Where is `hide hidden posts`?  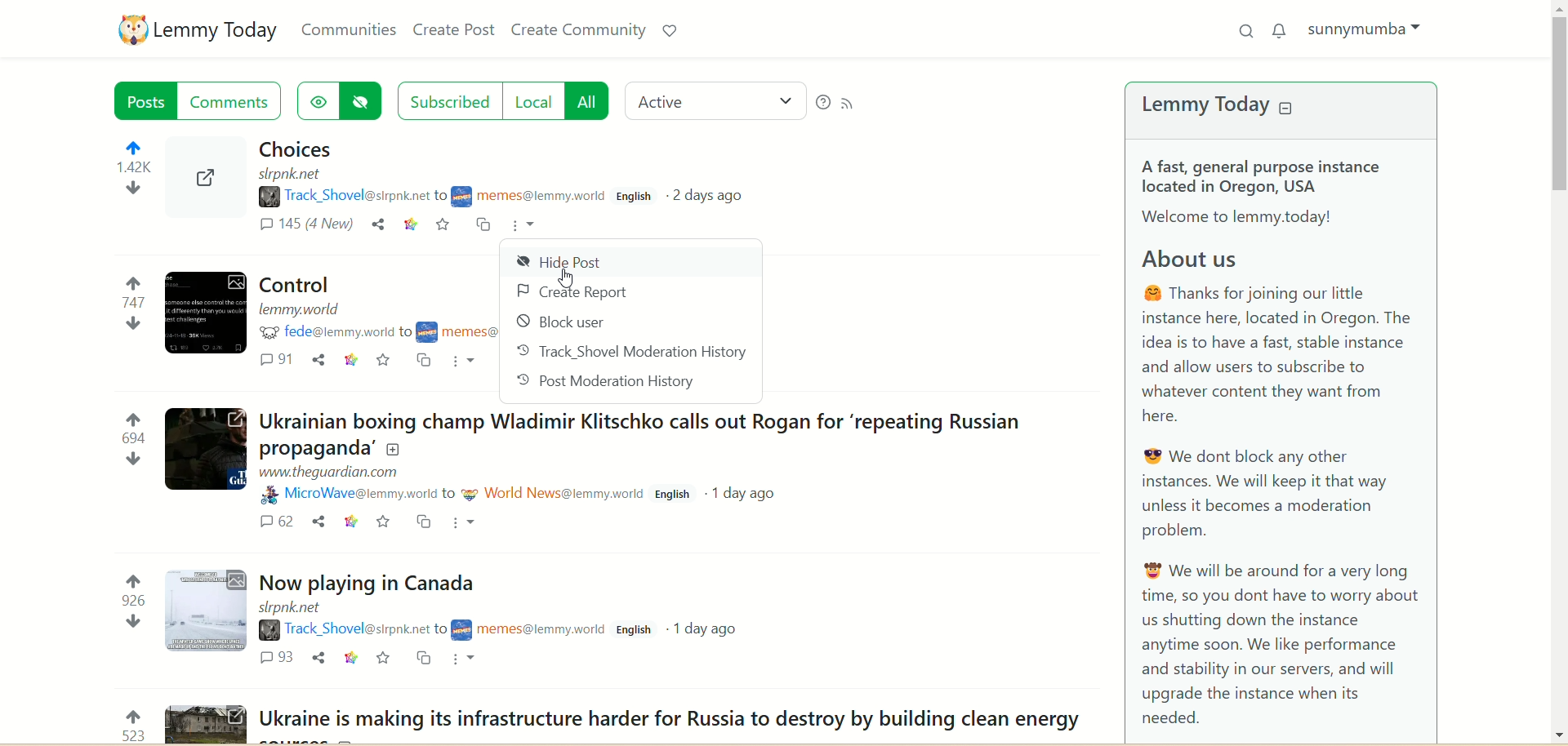
hide hidden posts is located at coordinates (363, 102).